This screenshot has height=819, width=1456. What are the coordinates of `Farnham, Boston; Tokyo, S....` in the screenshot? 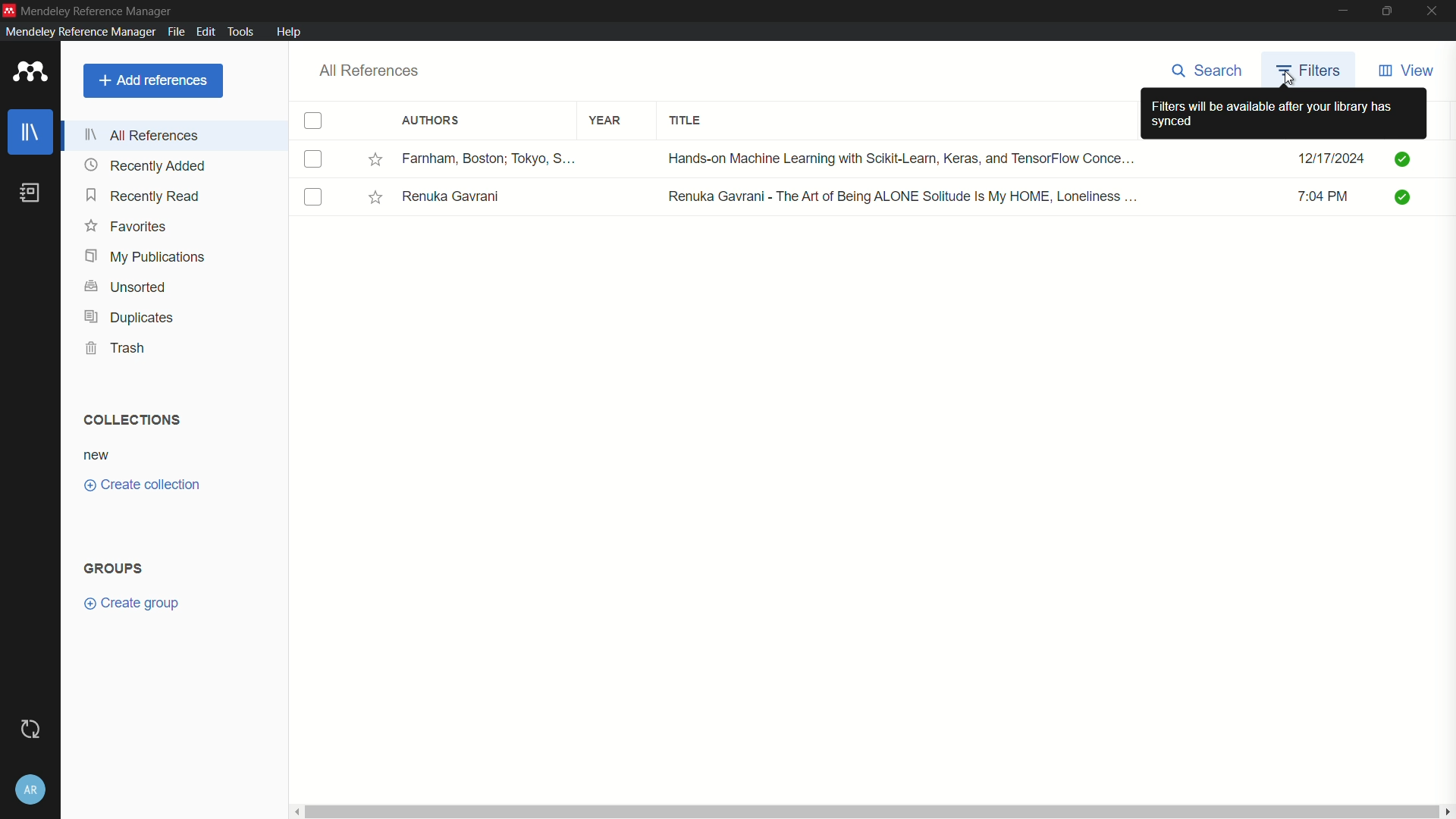 It's located at (491, 158).